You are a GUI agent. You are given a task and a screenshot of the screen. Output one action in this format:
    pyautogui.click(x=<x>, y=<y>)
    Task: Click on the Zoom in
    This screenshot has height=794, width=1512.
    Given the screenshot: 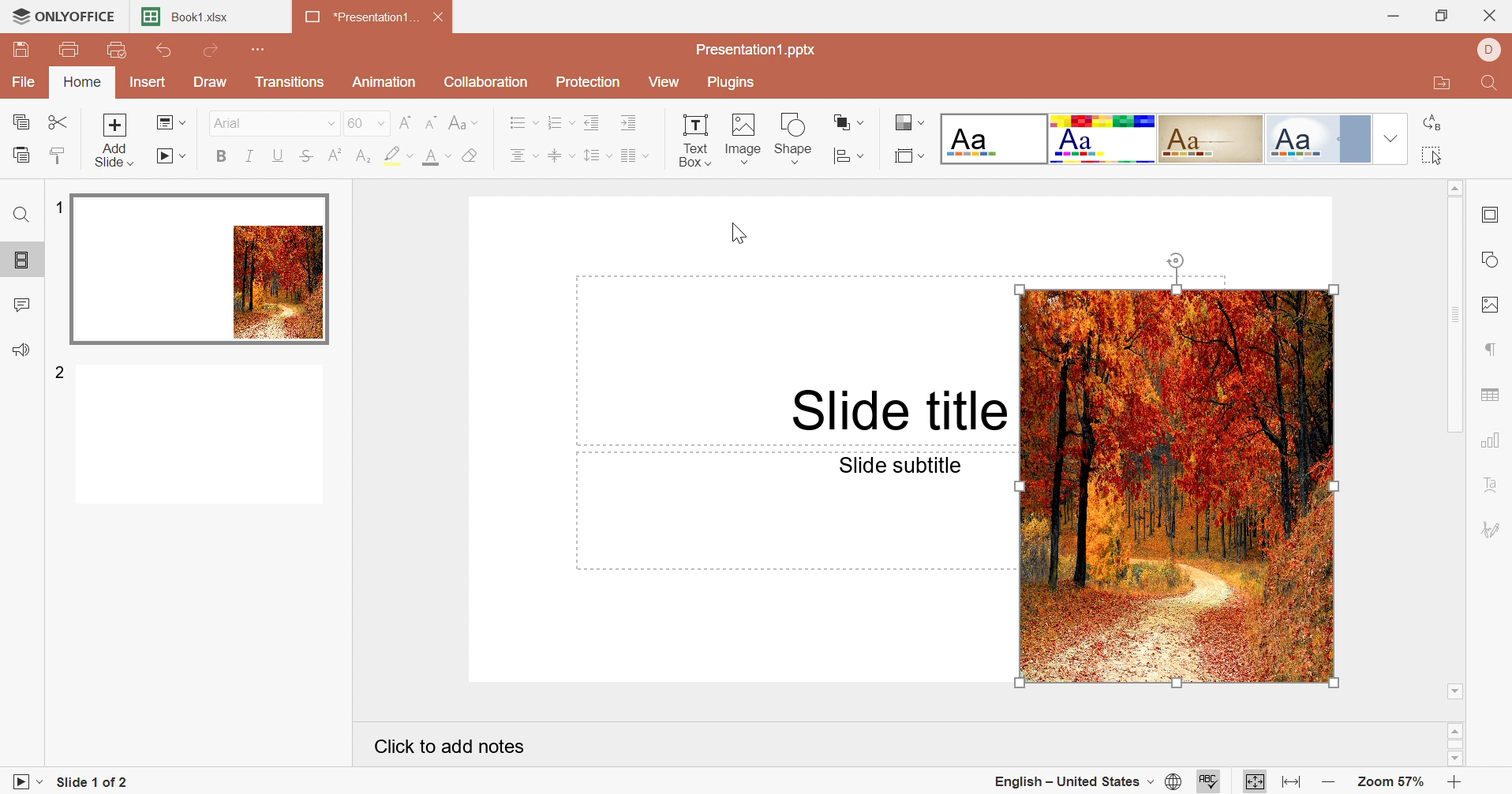 What is the action you would take?
    pyautogui.click(x=1455, y=783)
    